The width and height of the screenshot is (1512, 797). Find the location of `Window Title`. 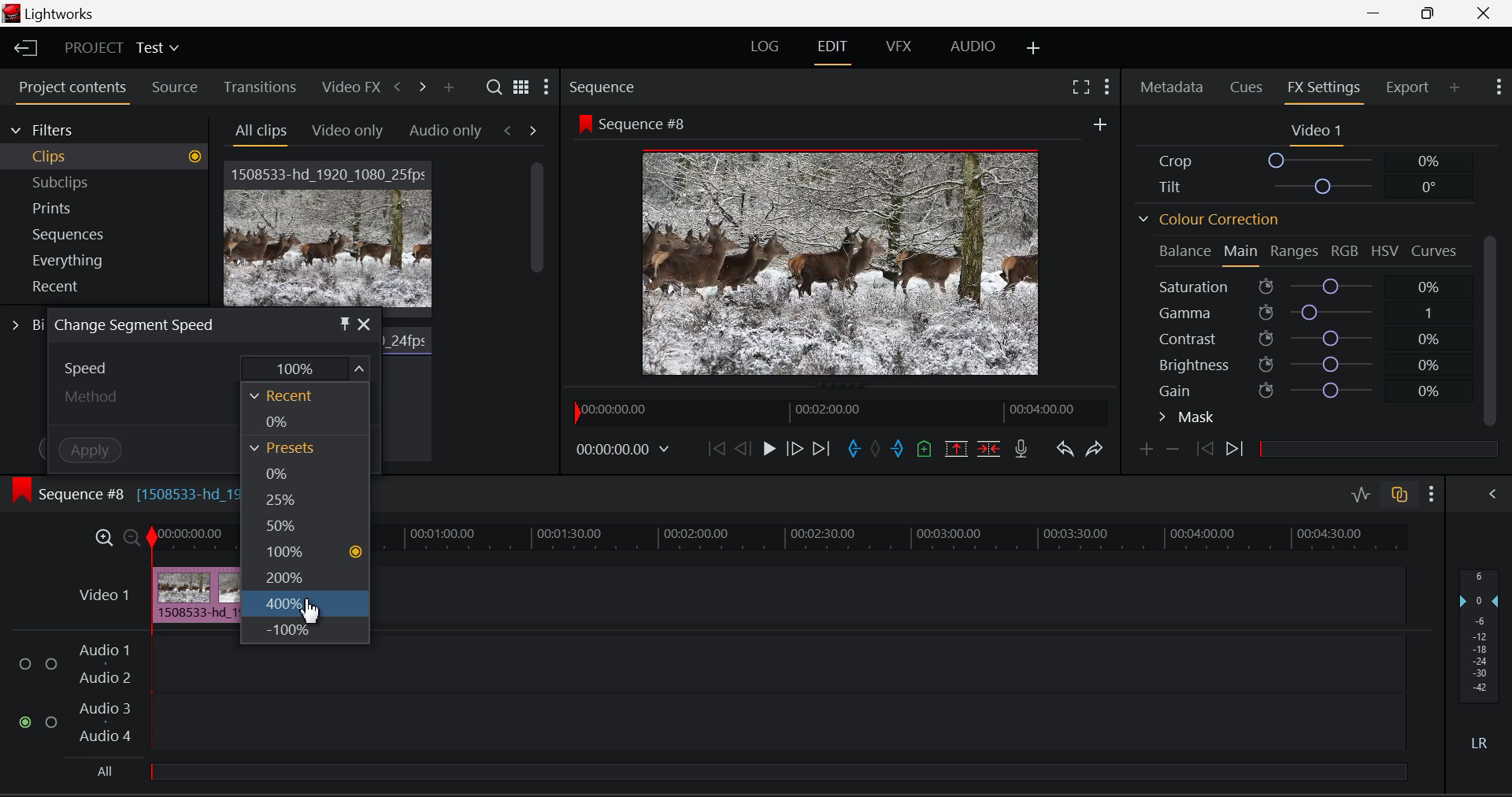

Window Title is located at coordinates (140, 327).